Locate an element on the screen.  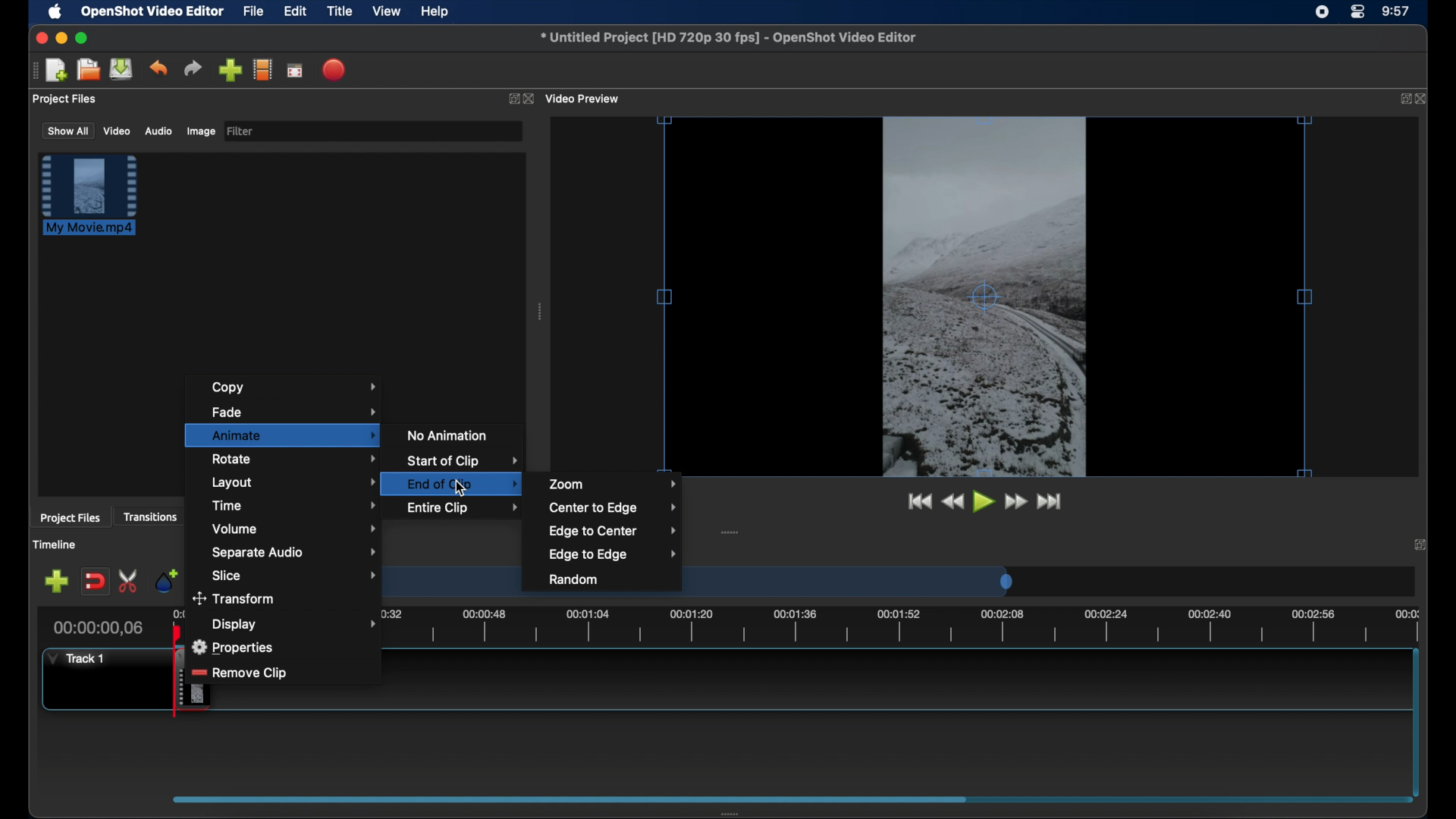
end of clip highlighted is located at coordinates (458, 484).